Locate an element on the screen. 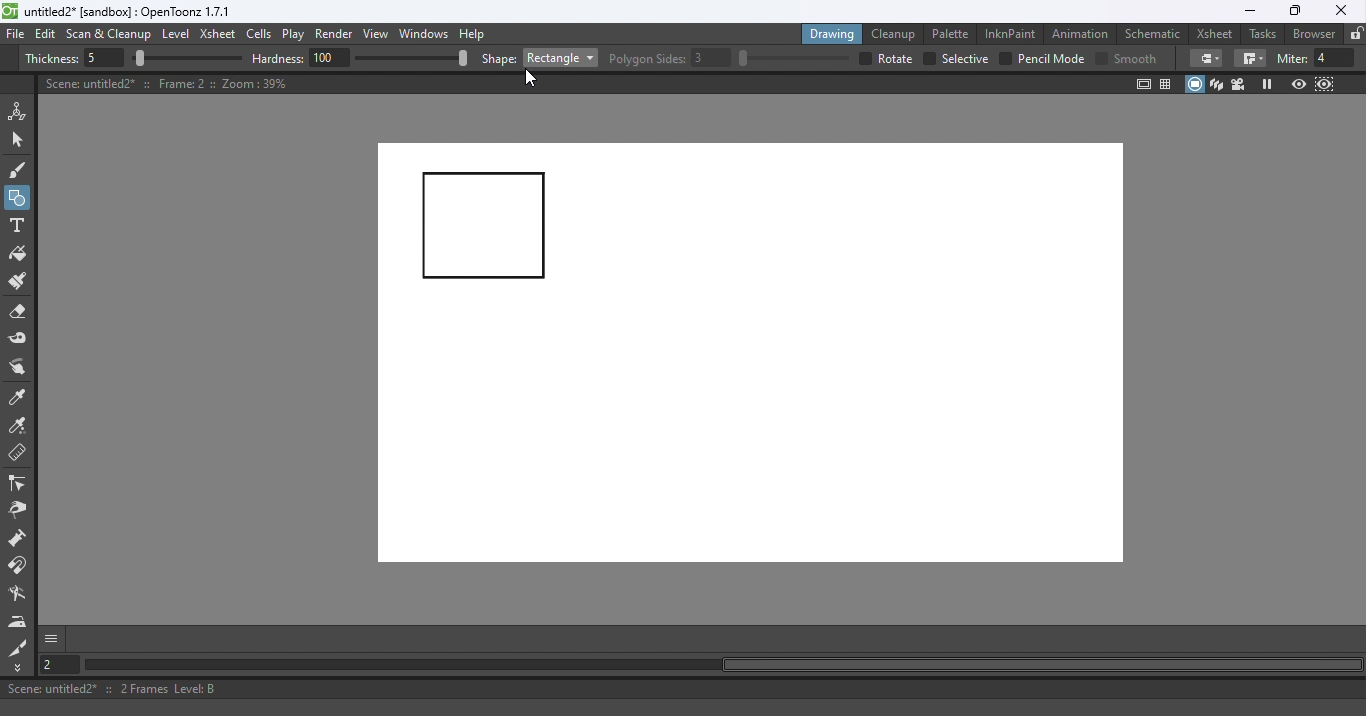 The image size is (1366, 716). Camera view is located at coordinates (1241, 83).